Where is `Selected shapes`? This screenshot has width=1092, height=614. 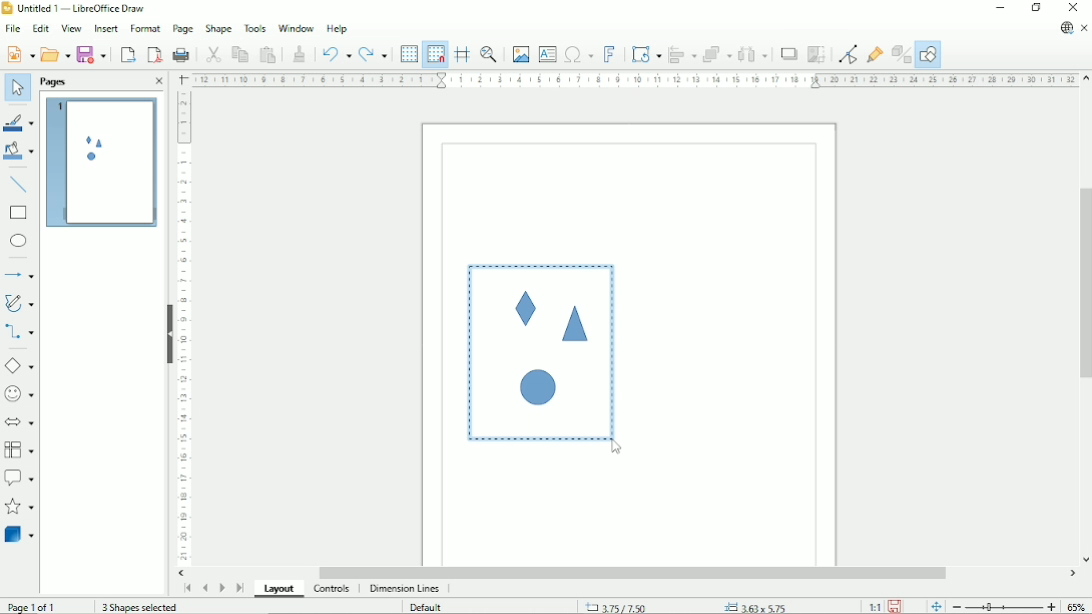
Selected shapes is located at coordinates (540, 352).